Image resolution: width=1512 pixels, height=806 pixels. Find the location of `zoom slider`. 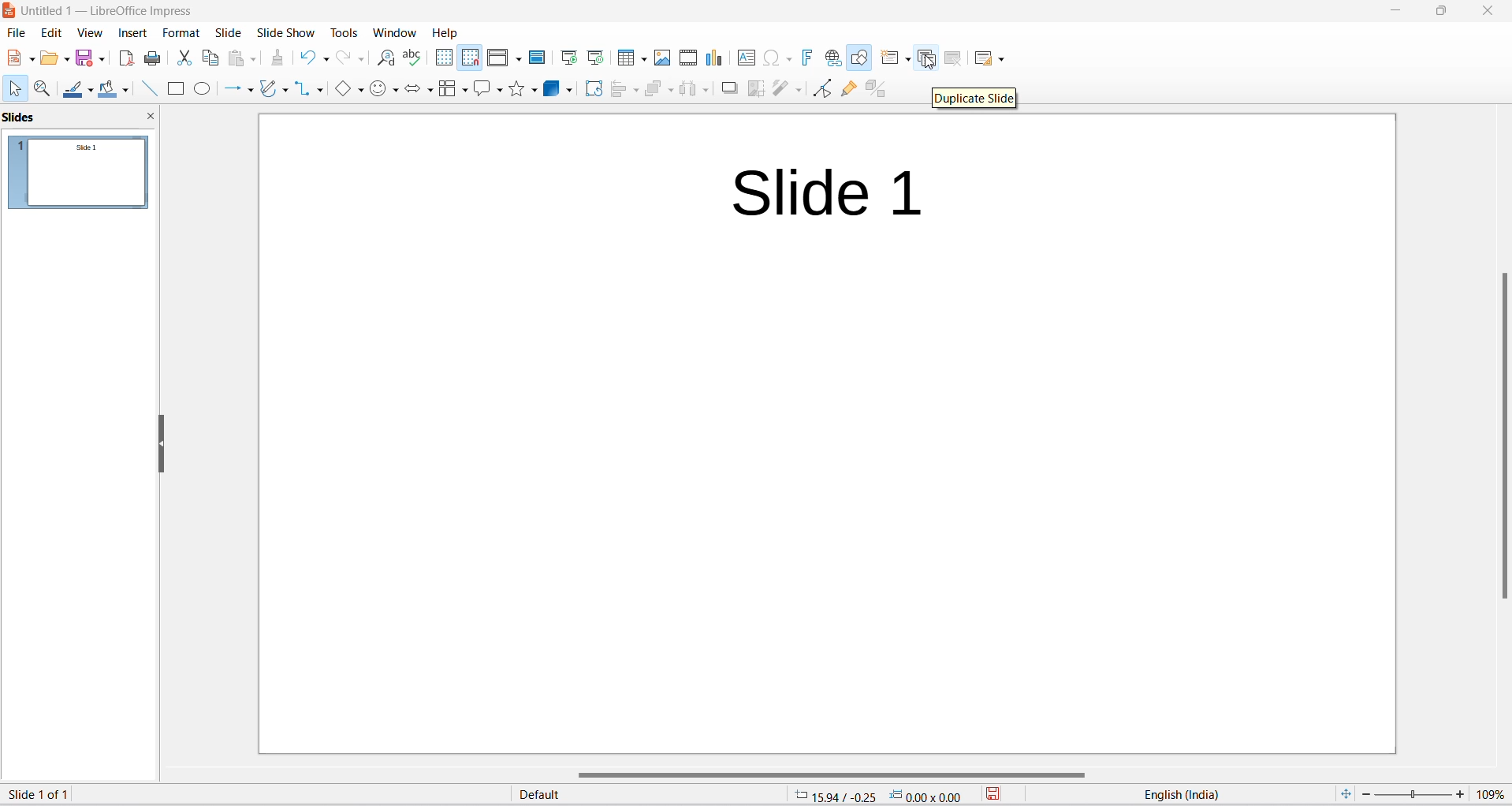

zoom slider is located at coordinates (1413, 795).